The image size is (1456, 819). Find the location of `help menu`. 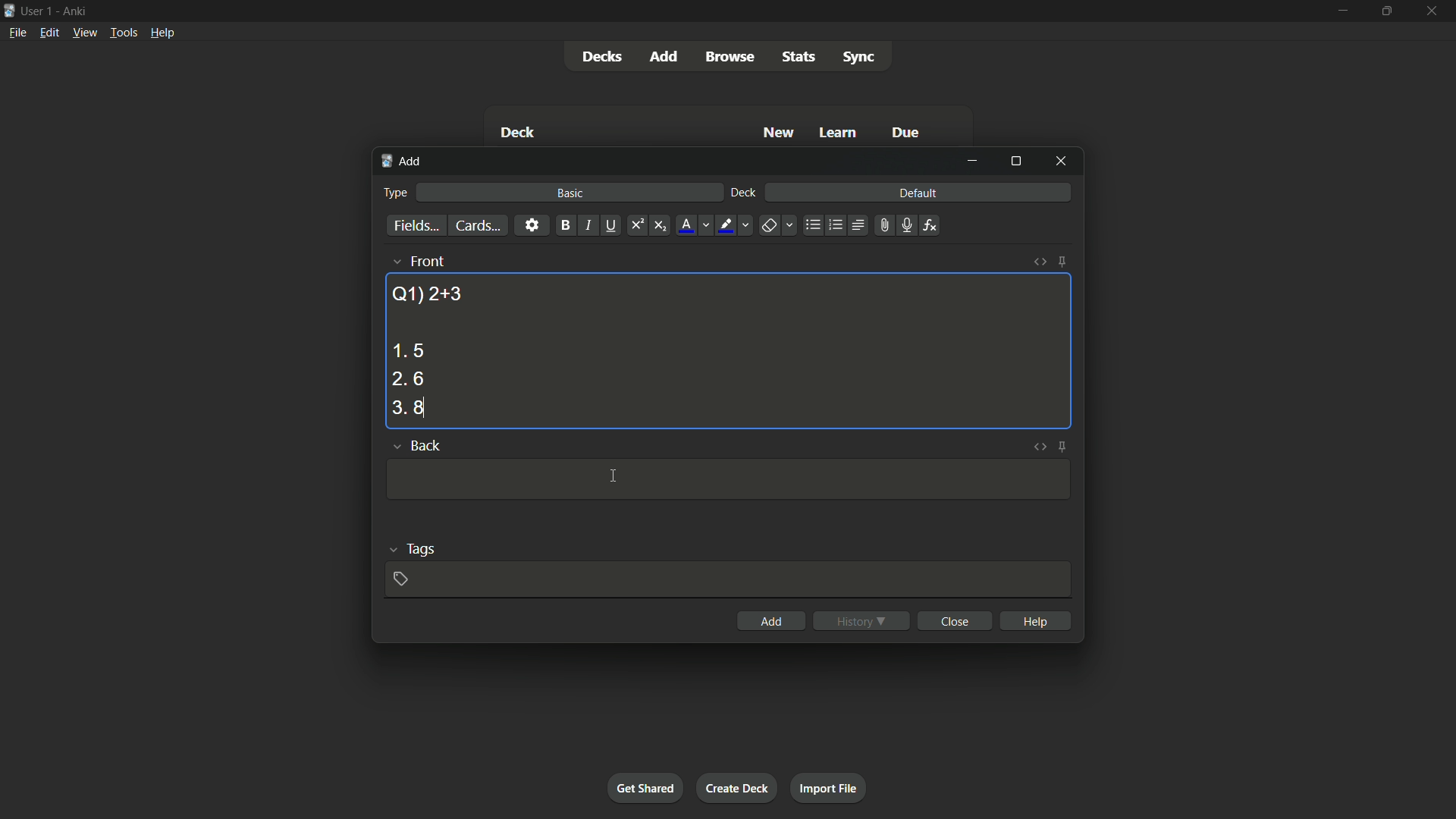

help menu is located at coordinates (162, 33).